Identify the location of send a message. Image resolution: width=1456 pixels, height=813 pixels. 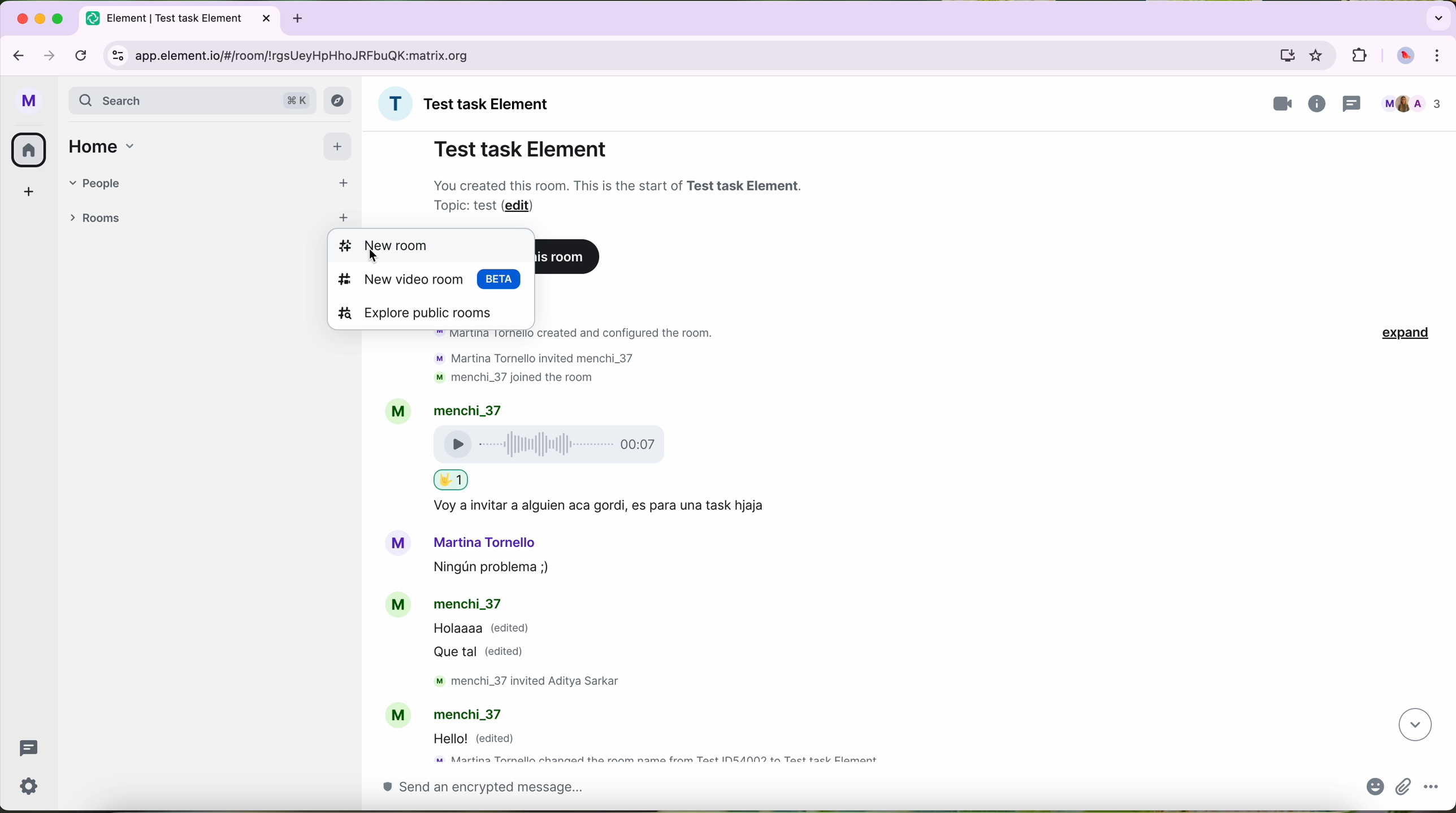
(852, 792).